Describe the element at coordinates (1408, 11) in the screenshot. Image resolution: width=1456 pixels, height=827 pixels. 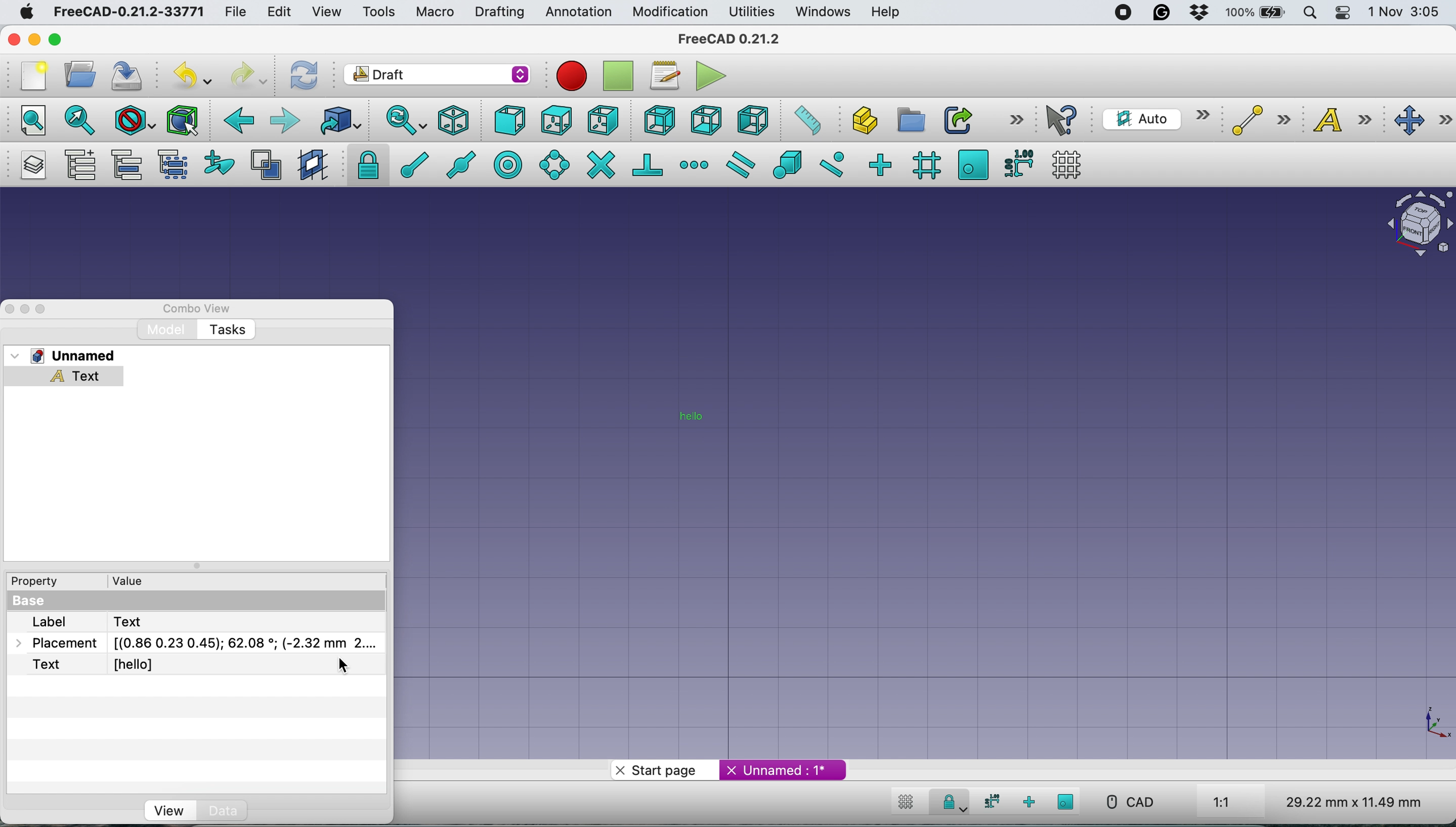
I see `date and time` at that location.